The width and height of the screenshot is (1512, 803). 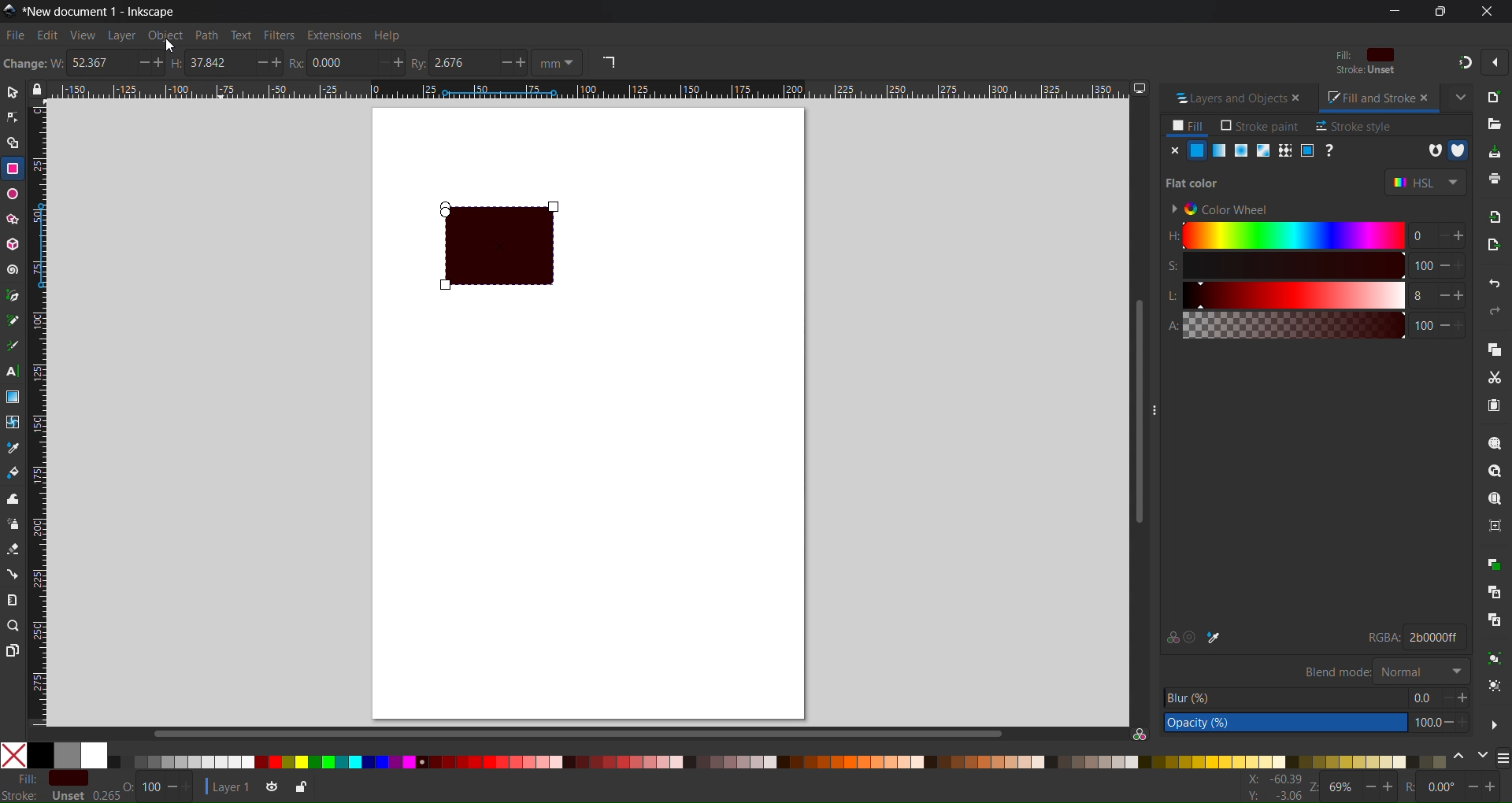 I want to click on Fill color, so click(x=1362, y=55).